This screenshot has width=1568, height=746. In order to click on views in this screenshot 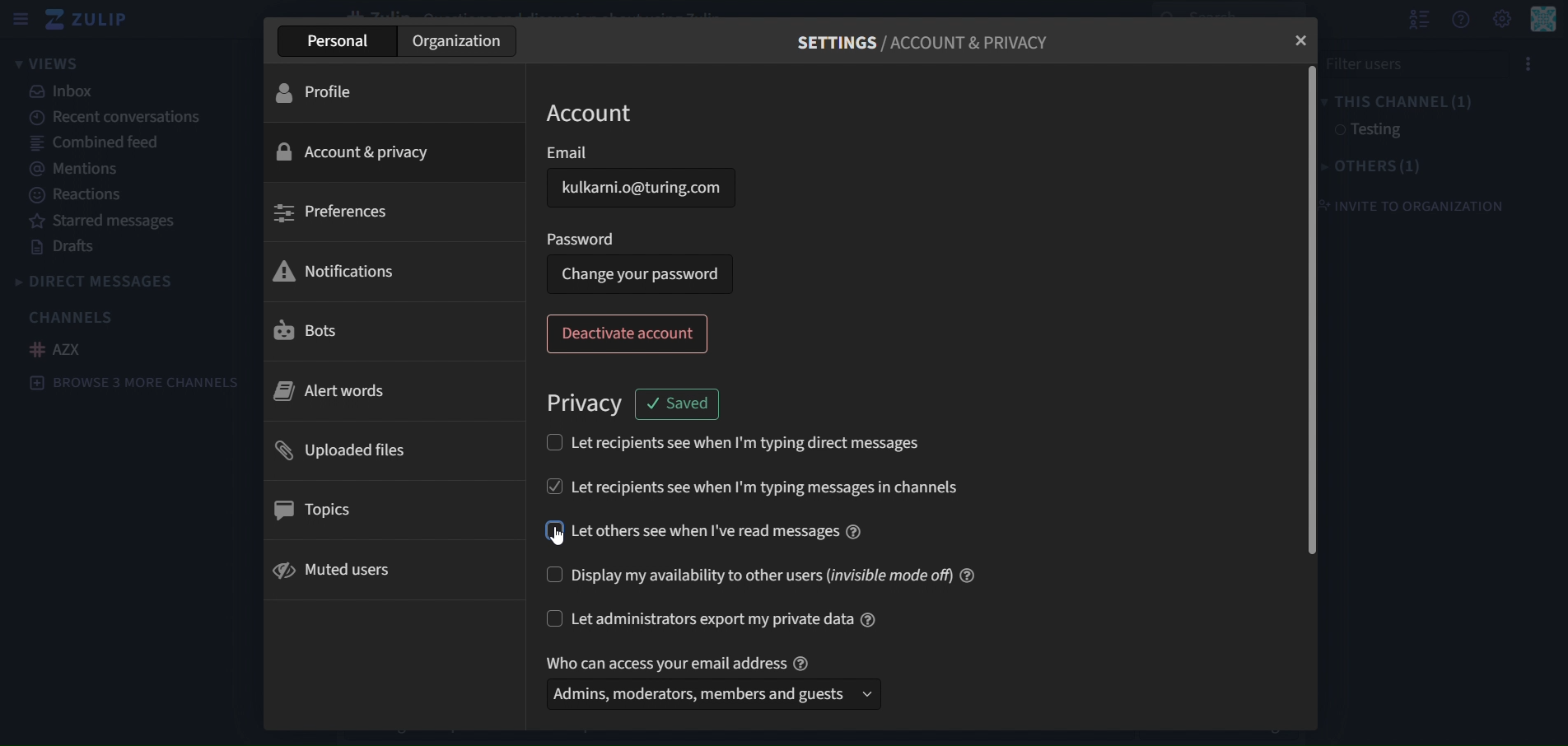, I will do `click(49, 64)`.